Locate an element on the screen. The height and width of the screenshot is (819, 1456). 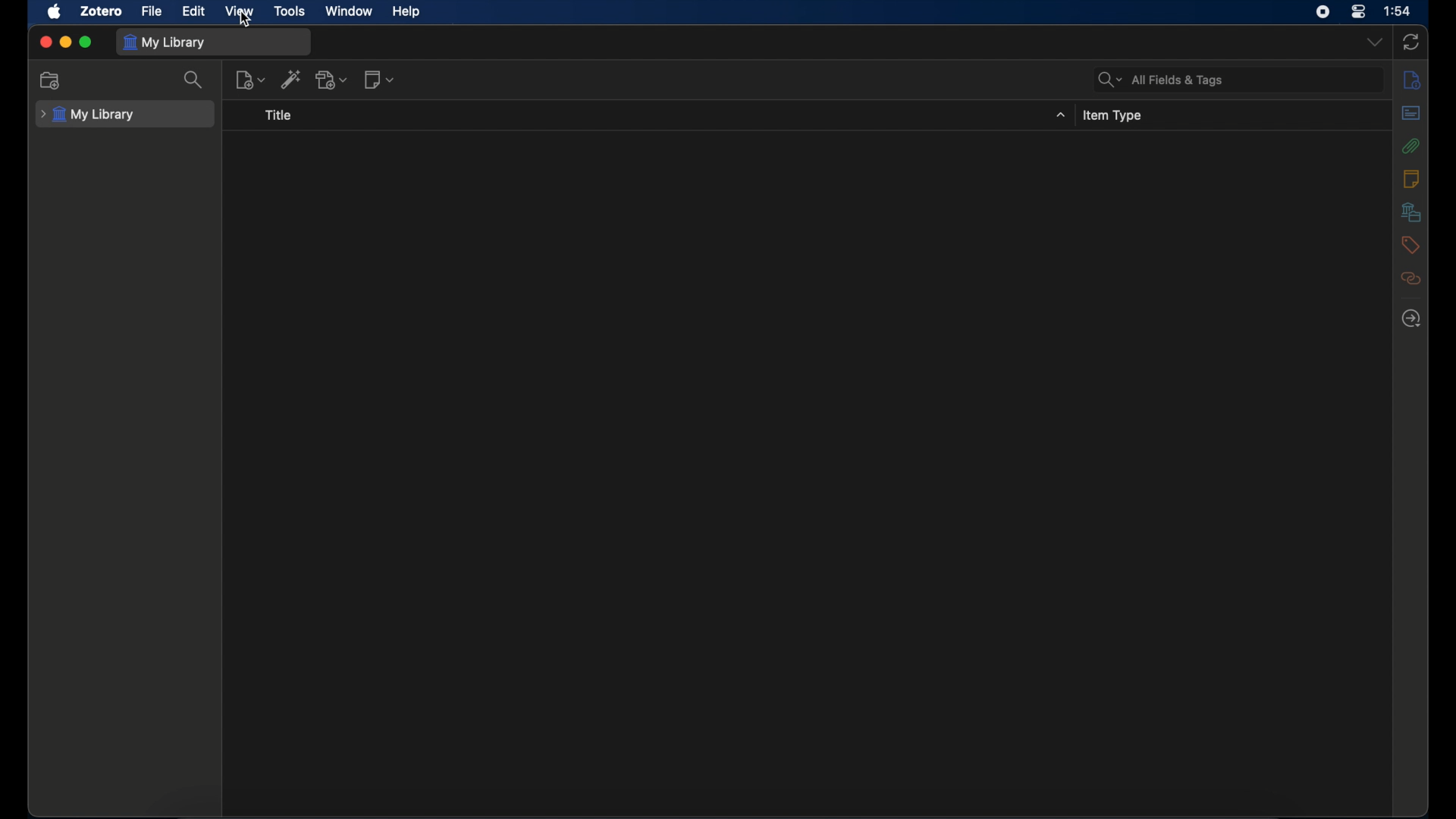
minimize is located at coordinates (65, 42).